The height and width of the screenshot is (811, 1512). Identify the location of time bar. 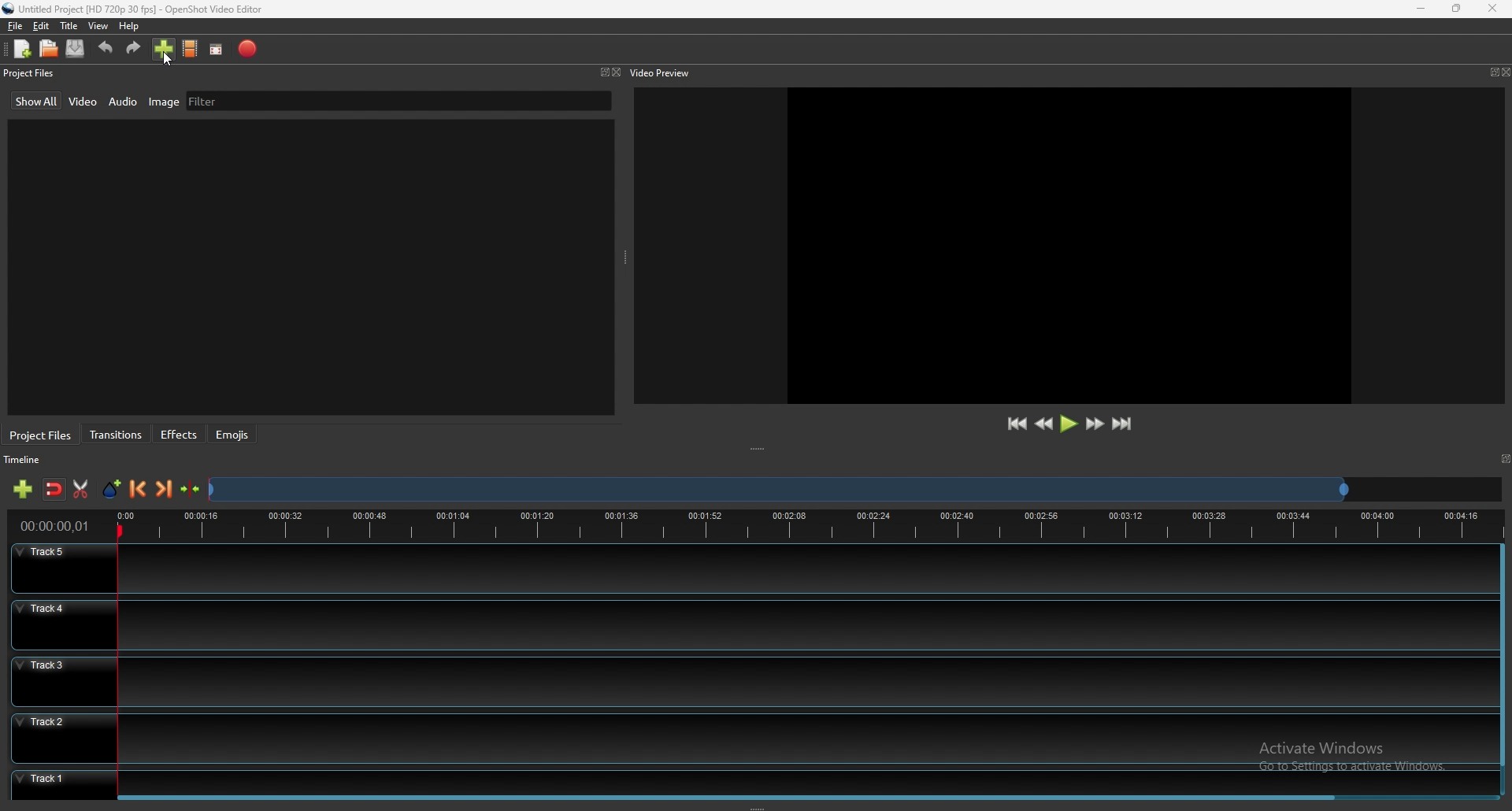
(806, 524).